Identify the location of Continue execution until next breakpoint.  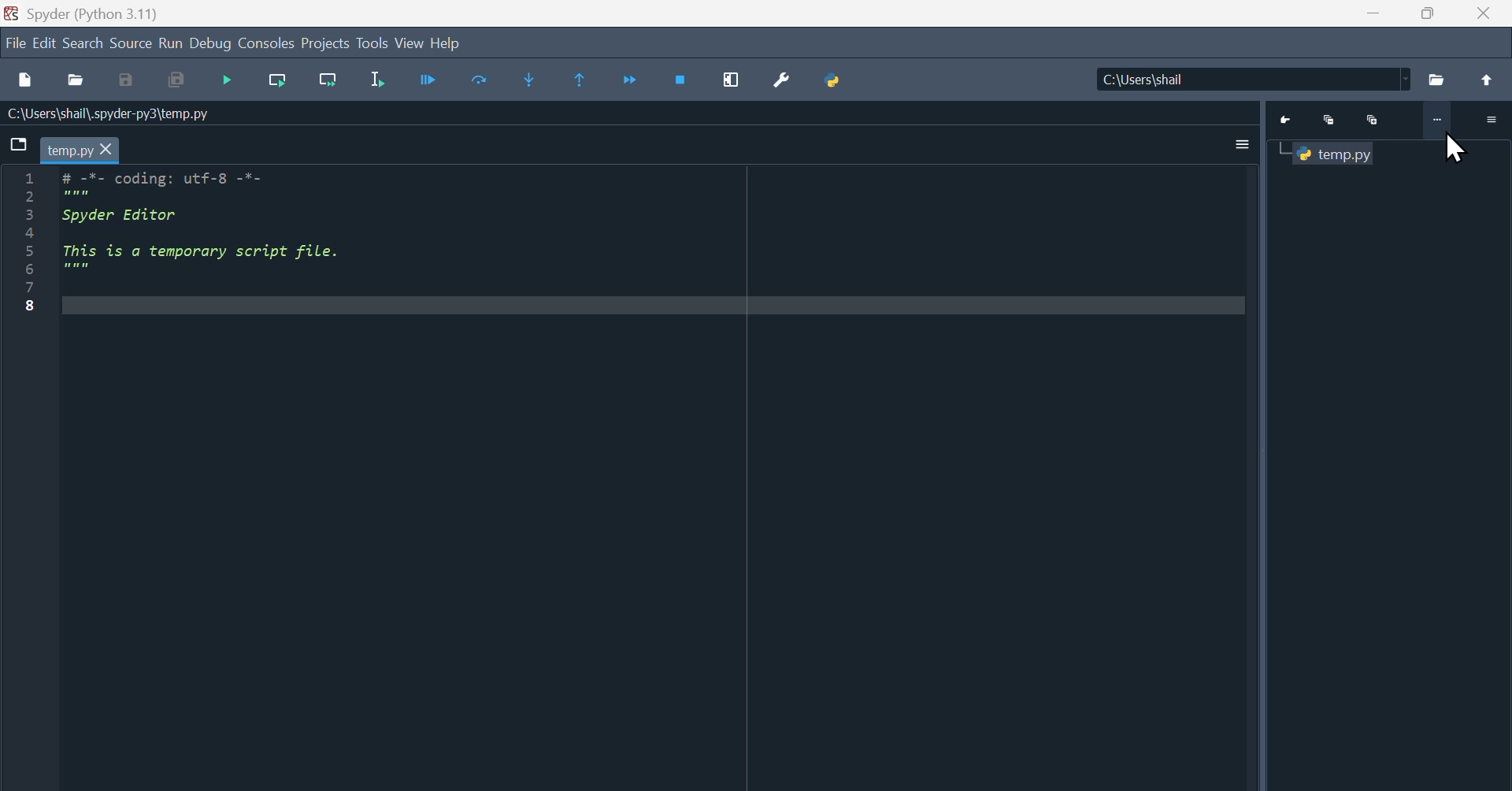
(632, 82).